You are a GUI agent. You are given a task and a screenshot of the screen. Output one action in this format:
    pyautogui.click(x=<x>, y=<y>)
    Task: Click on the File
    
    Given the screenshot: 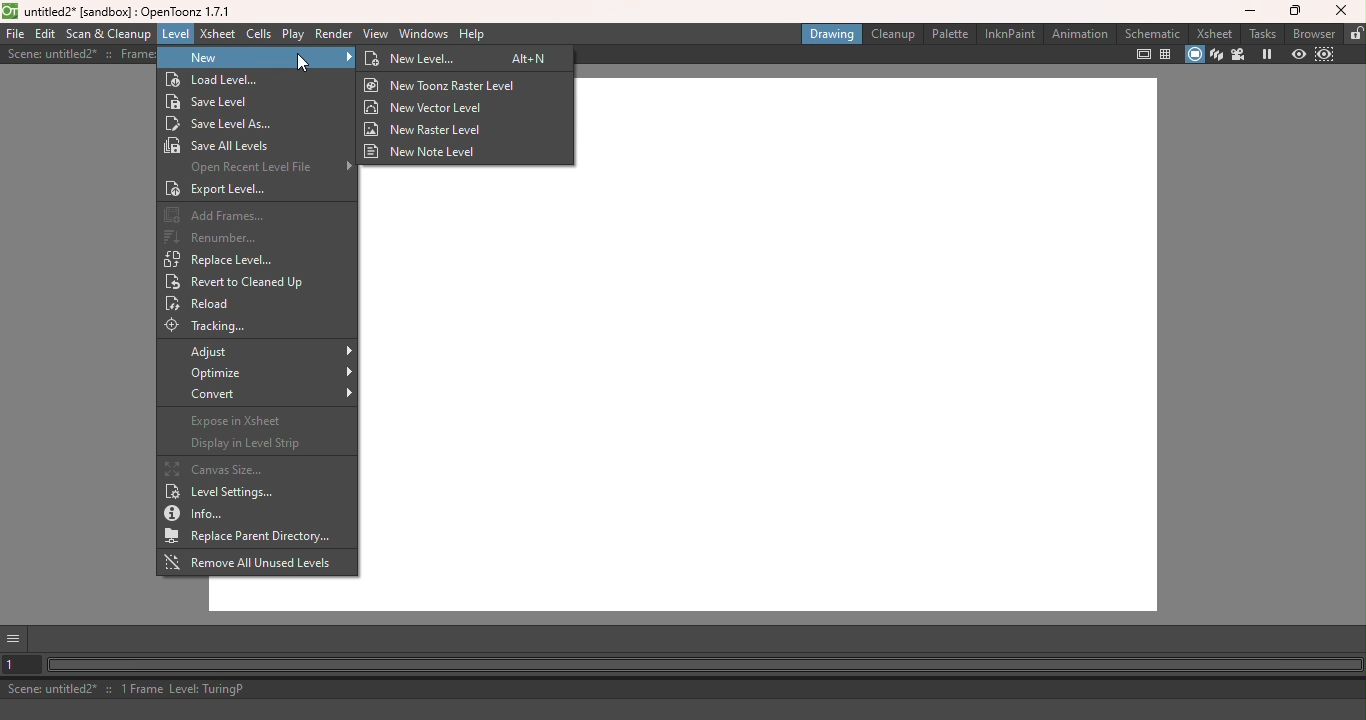 What is the action you would take?
    pyautogui.click(x=13, y=33)
    